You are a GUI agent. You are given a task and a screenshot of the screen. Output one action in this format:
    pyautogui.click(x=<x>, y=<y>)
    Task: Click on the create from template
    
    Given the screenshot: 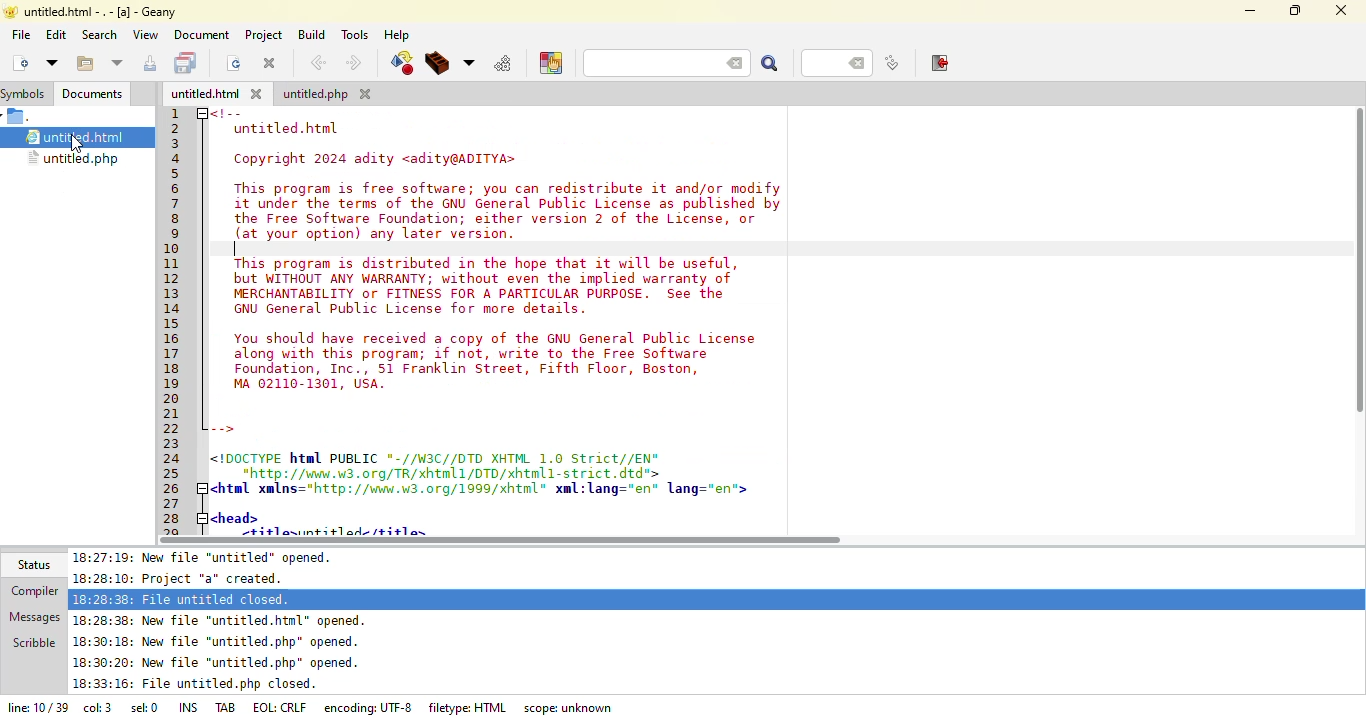 What is the action you would take?
    pyautogui.click(x=55, y=64)
    